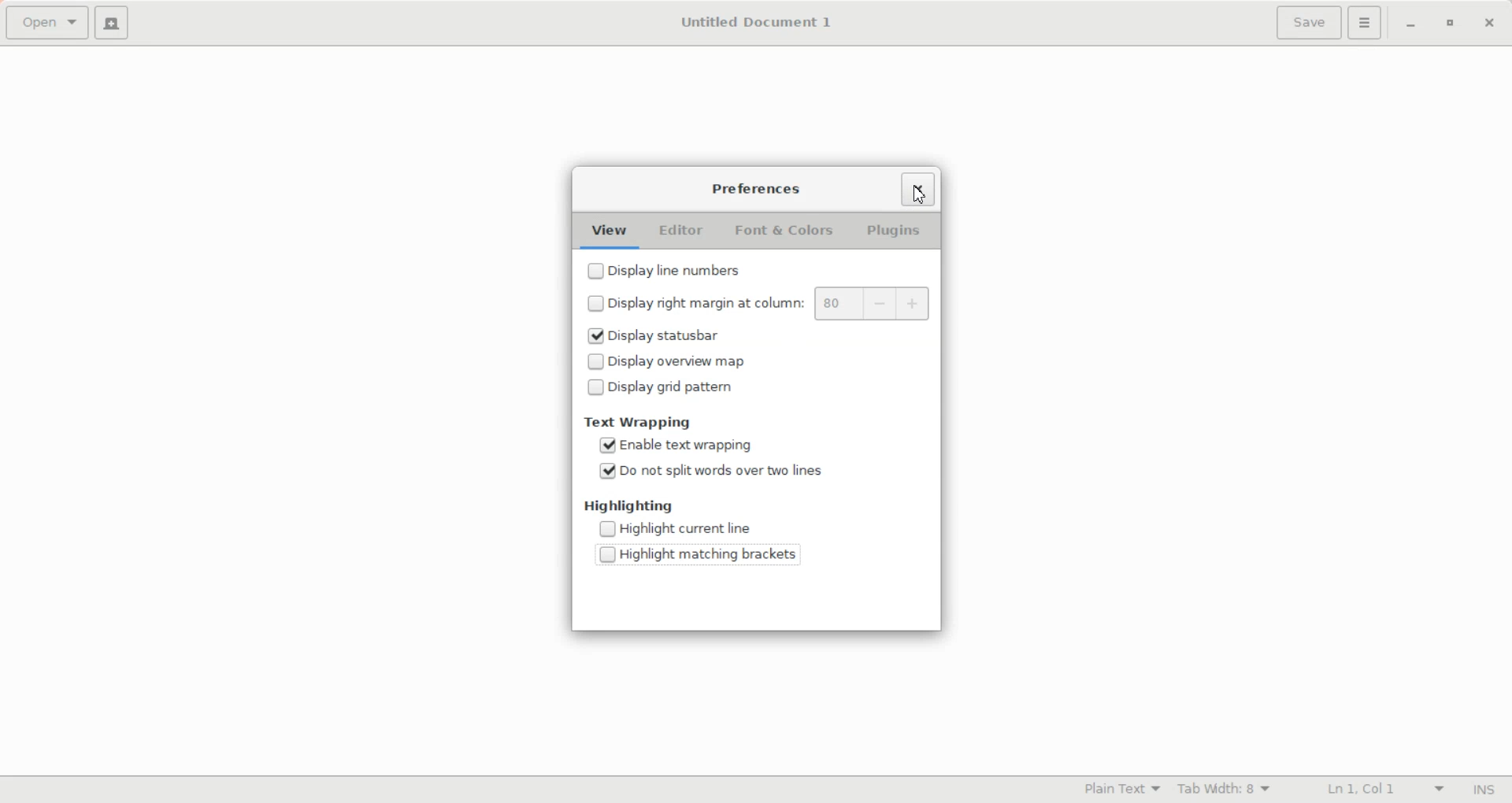  Describe the element at coordinates (1120, 790) in the screenshot. I see `Highlighting Mode` at that location.